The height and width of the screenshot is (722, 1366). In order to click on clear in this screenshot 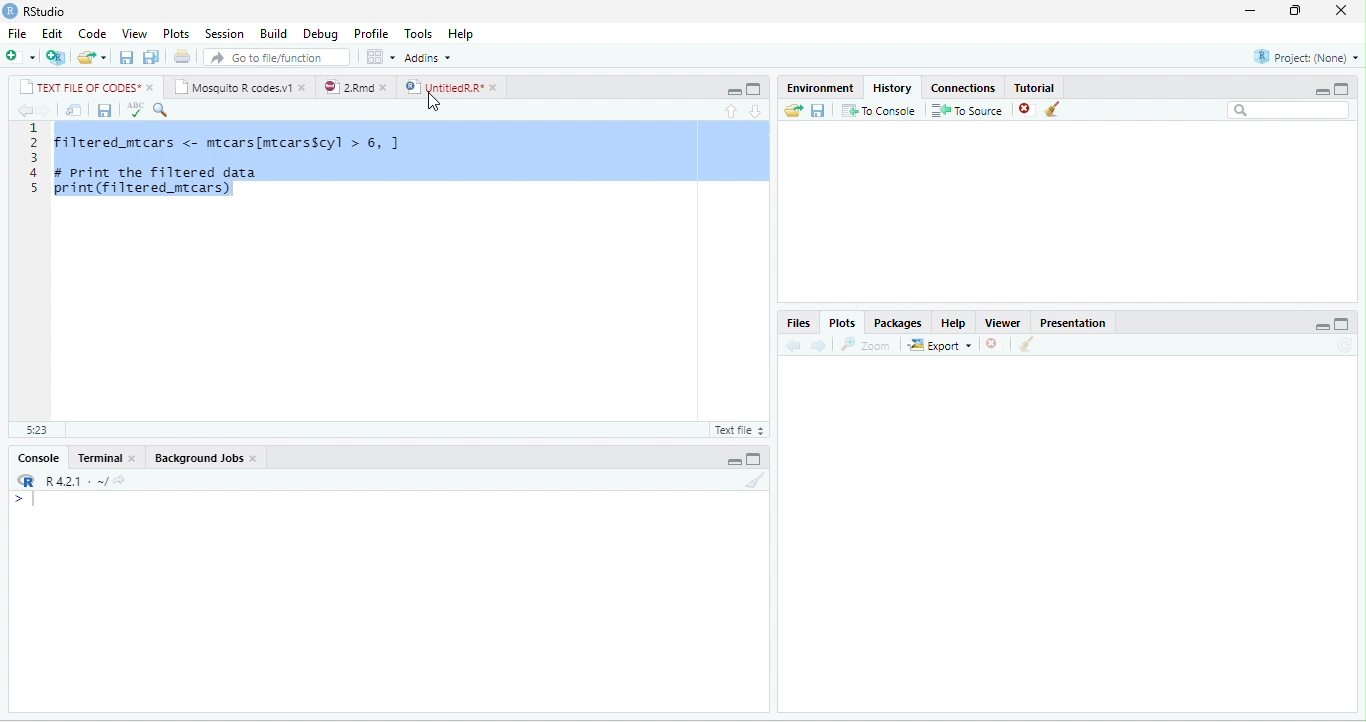, I will do `click(1026, 344)`.